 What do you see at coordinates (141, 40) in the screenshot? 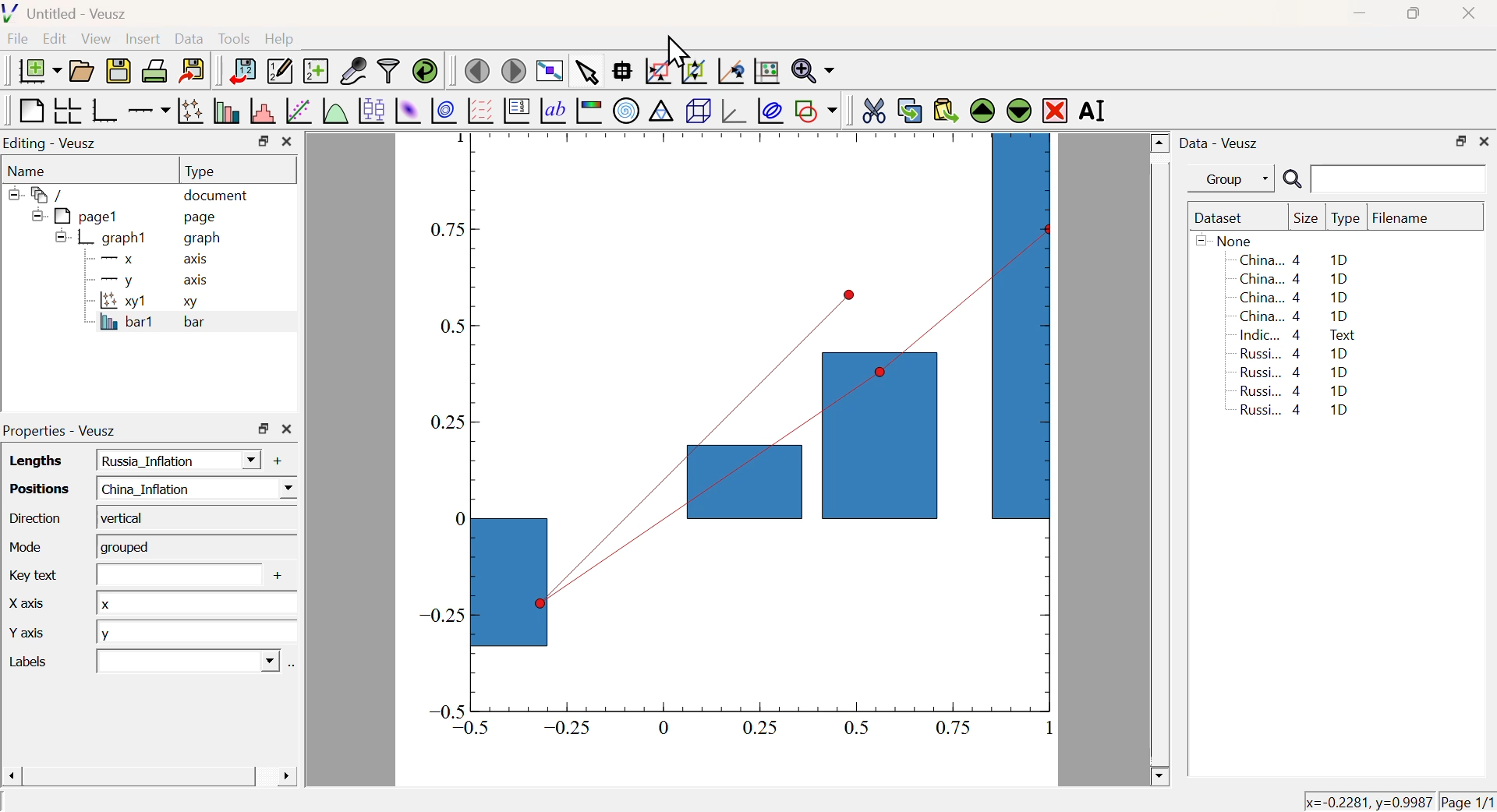
I see `Insert` at bounding box center [141, 40].